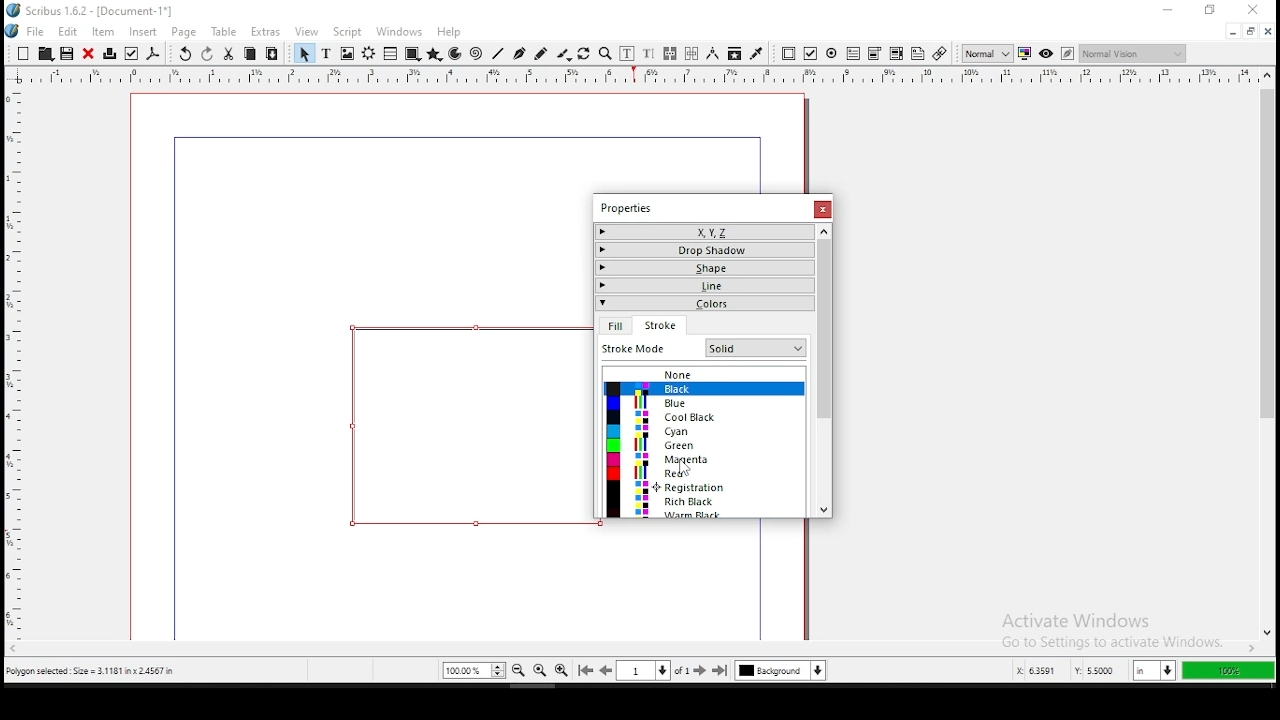 The width and height of the screenshot is (1280, 720). I want to click on arc, so click(456, 54).